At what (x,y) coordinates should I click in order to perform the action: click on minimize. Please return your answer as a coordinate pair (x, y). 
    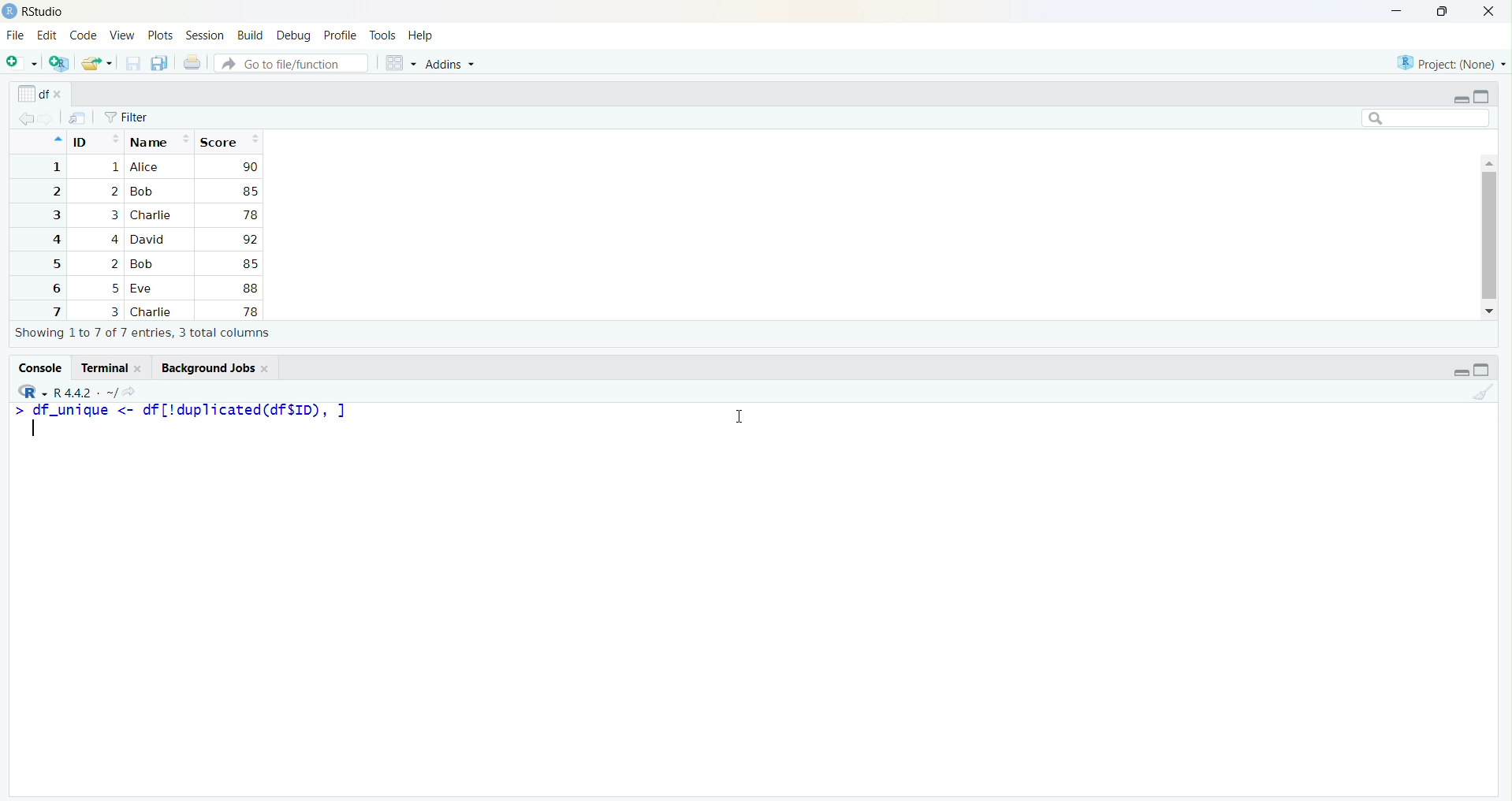
    Looking at the image, I should click on (1460, 99).